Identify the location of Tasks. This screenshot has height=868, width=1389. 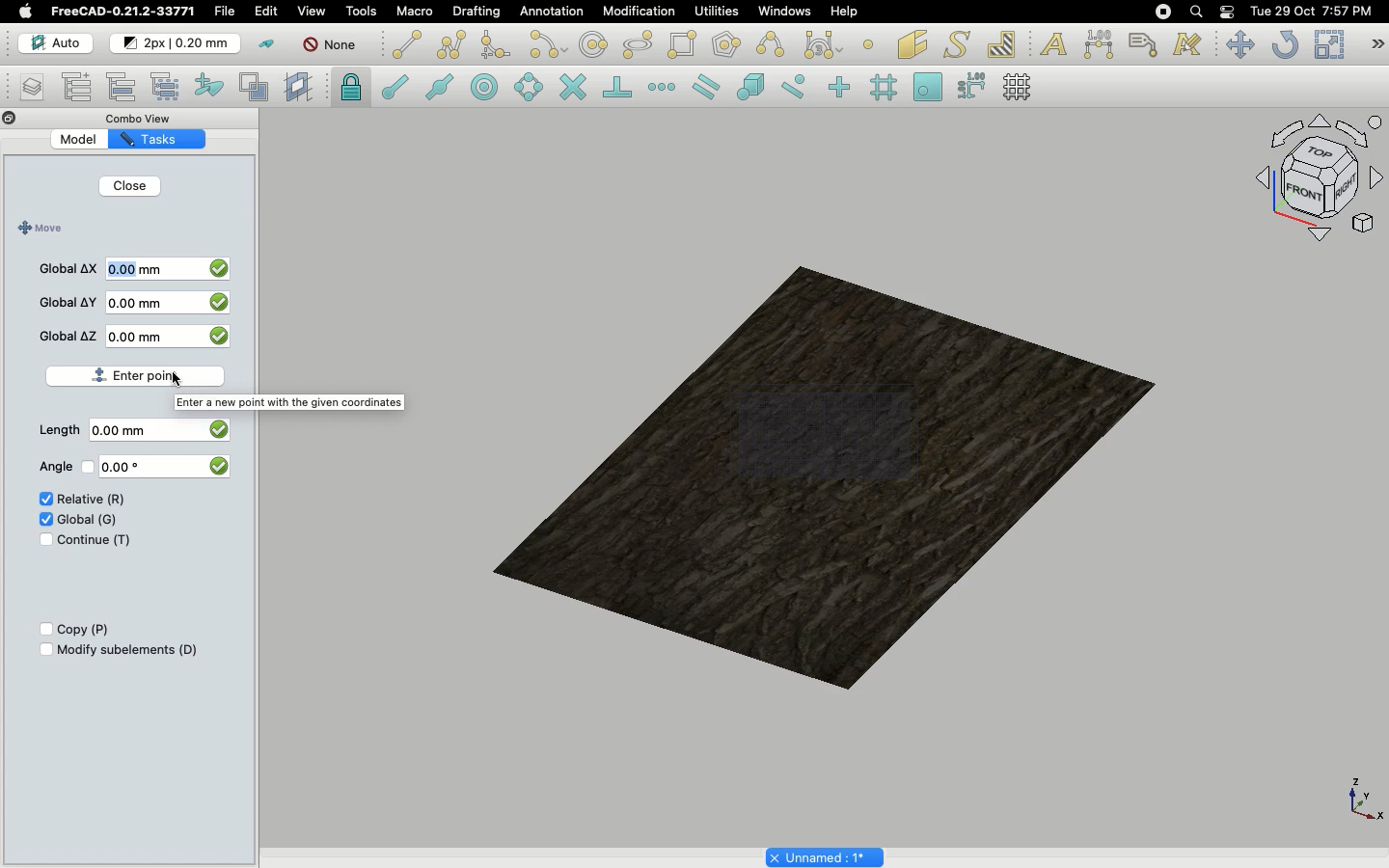
(168, 138).